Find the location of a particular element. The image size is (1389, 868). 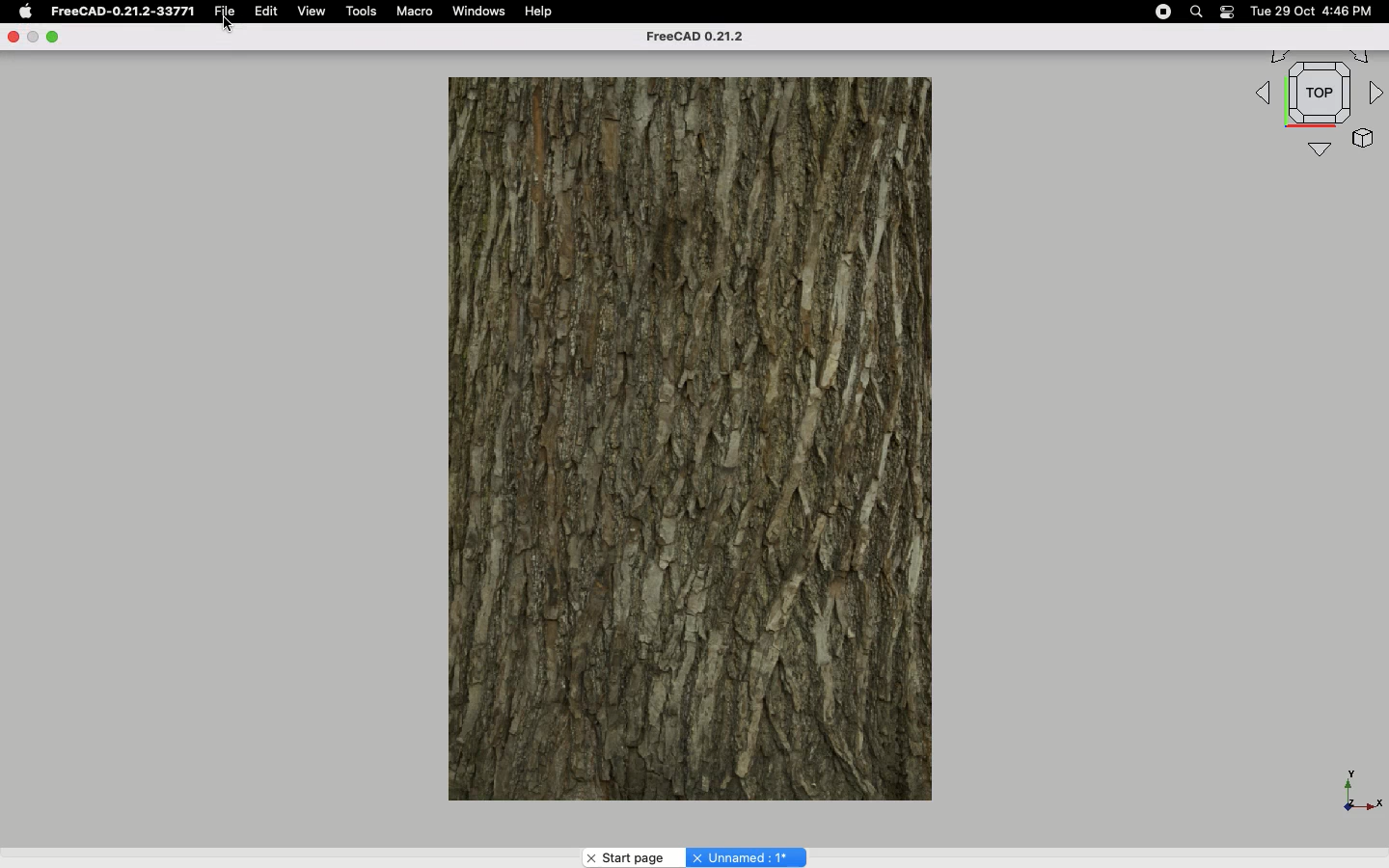

Search is located at coordinates (1197, 12).